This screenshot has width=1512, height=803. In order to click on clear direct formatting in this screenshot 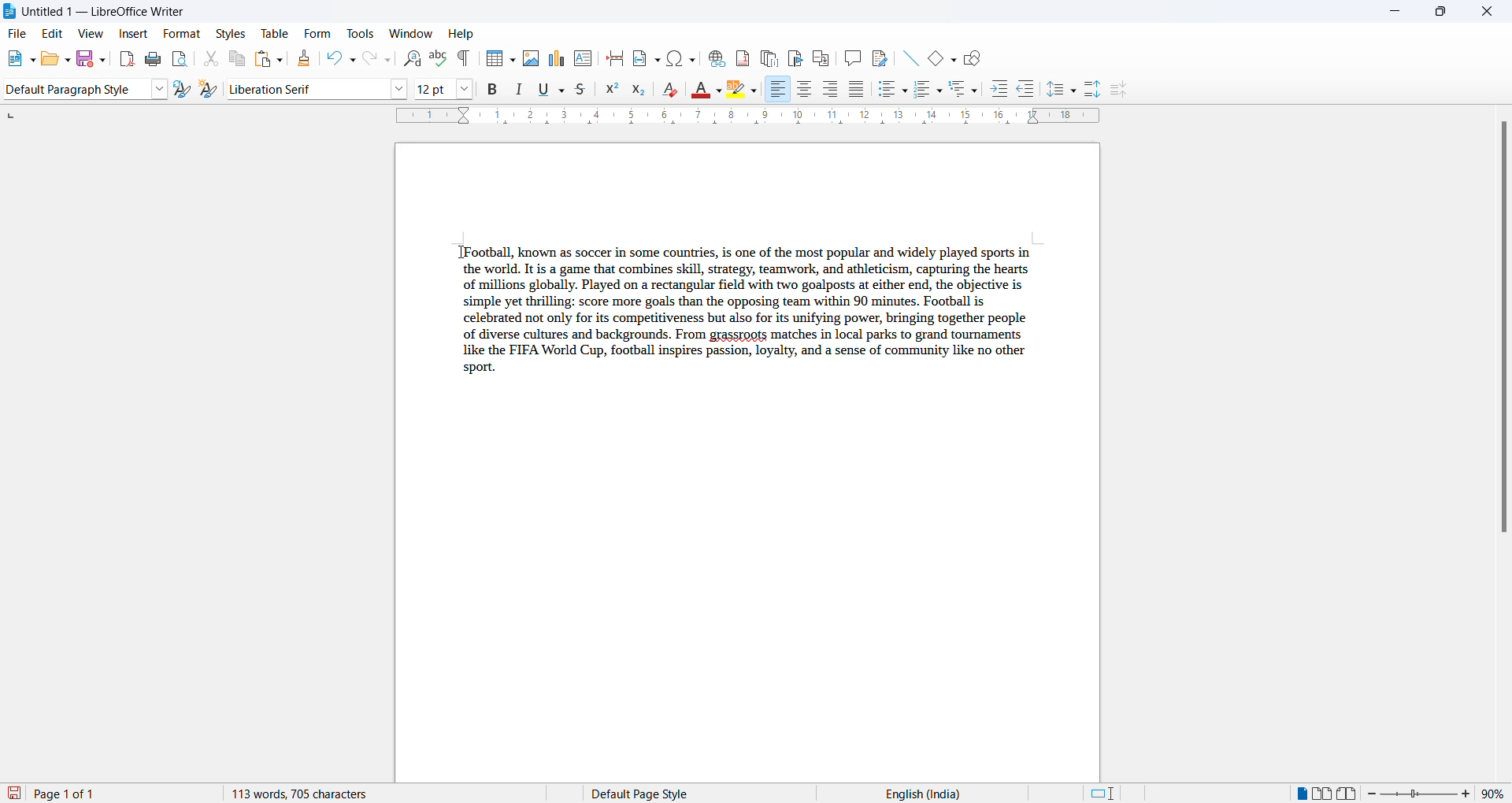, I will do `click(669, 88)`.